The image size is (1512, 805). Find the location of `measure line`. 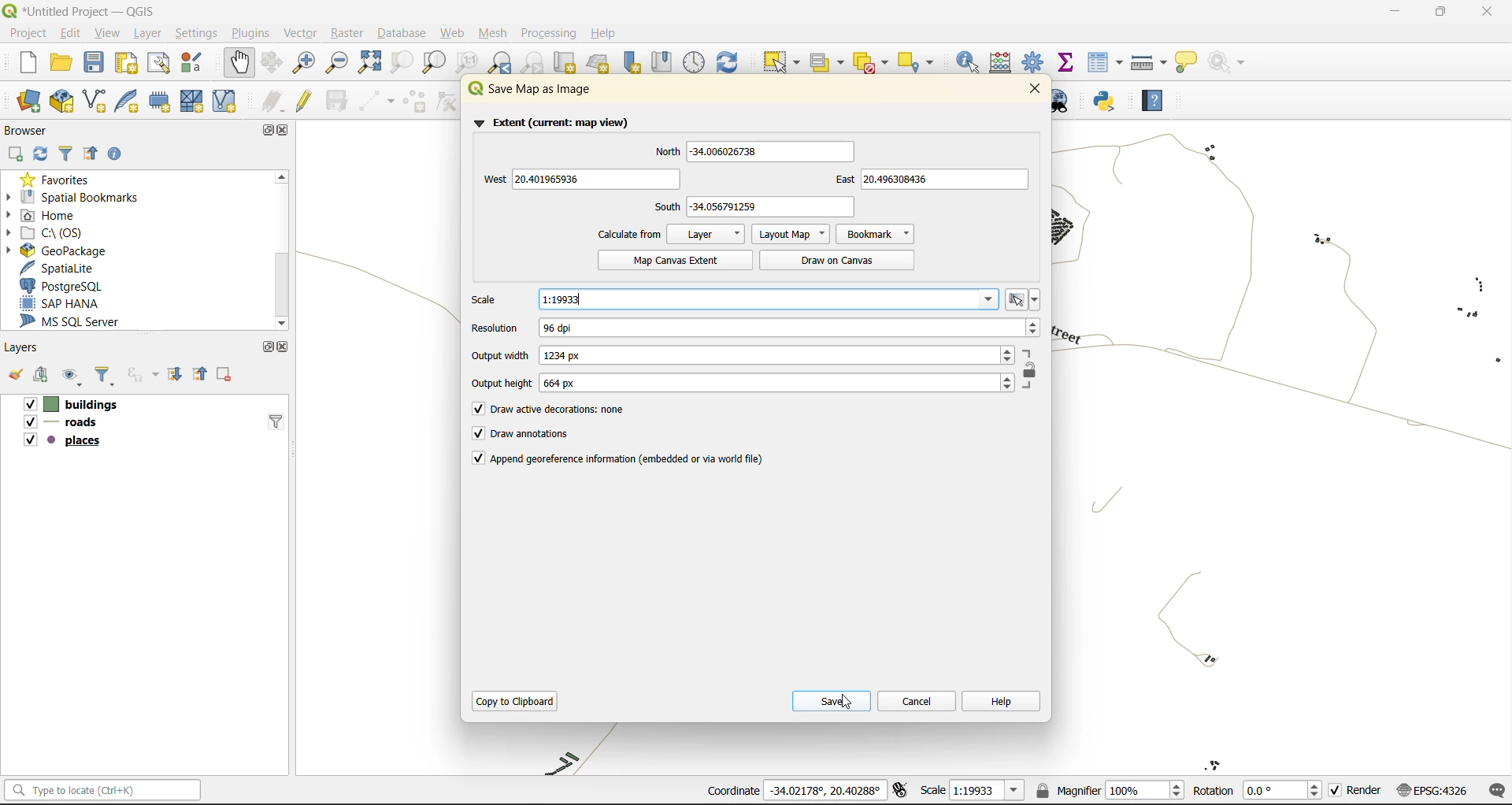

measure line is located at coordinates (1149, 61).